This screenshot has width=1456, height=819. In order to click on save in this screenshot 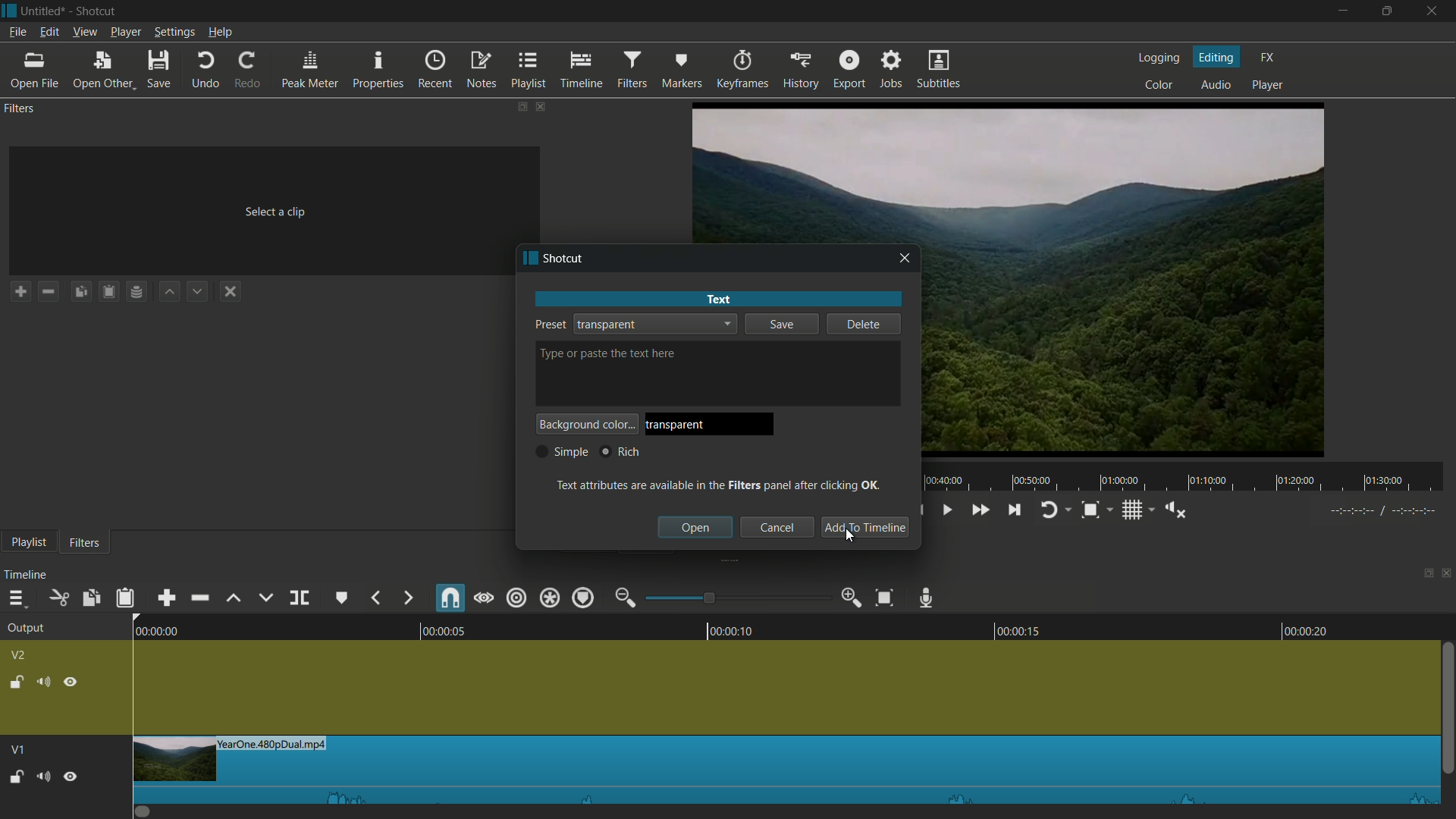, I will do `click(780, 326)`.